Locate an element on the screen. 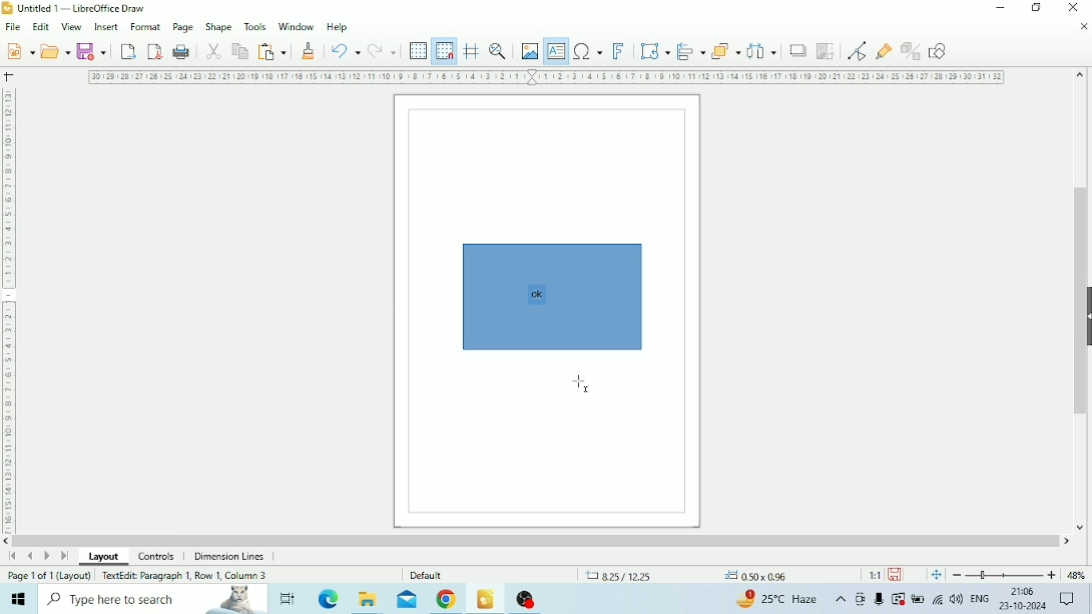  Minimize is located at coordinates (1003, 8).